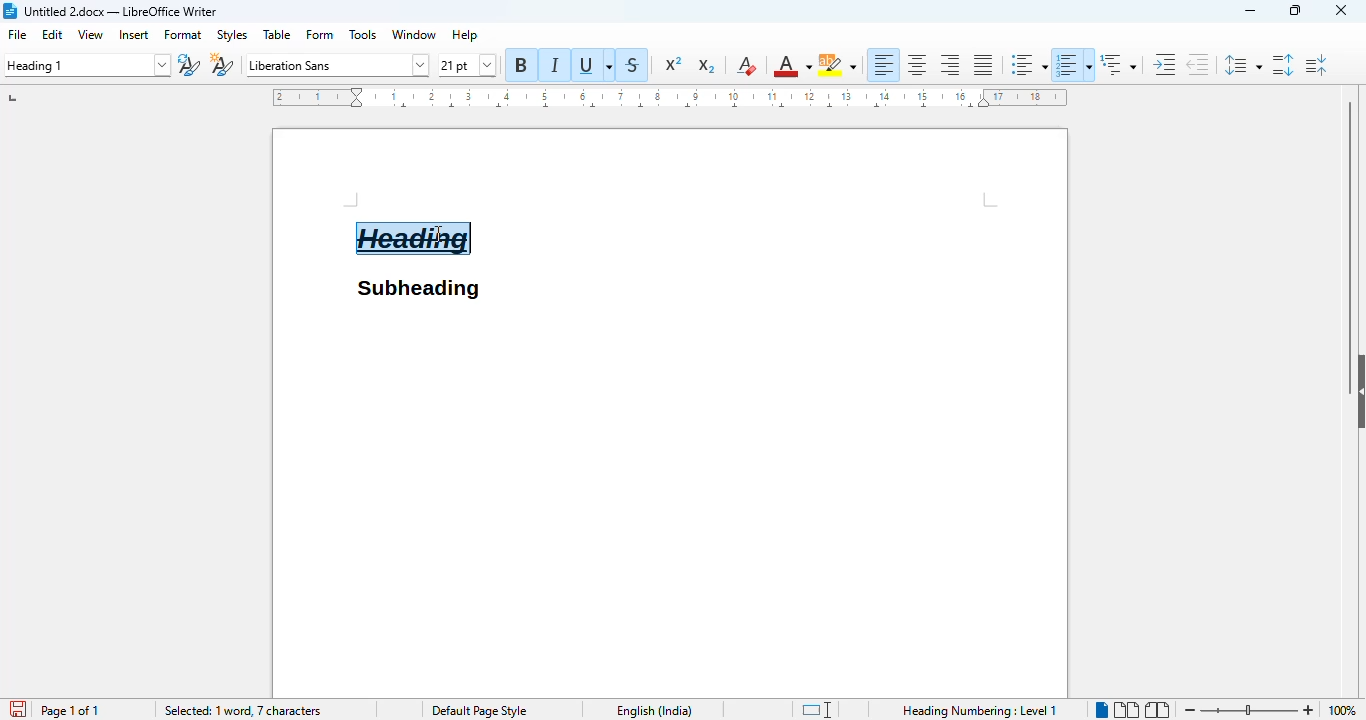 This screenshot has height=720, width=1366. Describe the element at coordinates (364, 34) in the screenshot. I see `tools` at that location.